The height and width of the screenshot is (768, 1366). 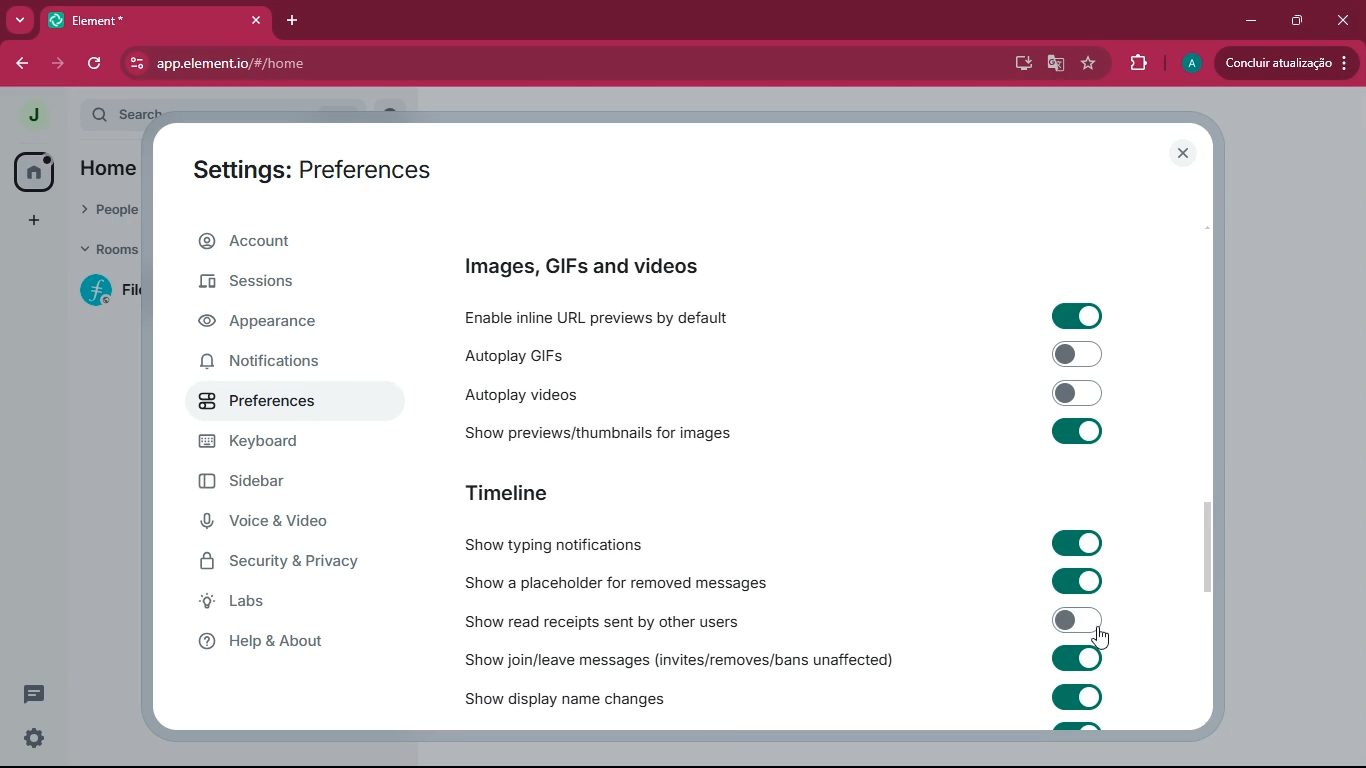 I want to click on forward, so click(x=58, y=64).